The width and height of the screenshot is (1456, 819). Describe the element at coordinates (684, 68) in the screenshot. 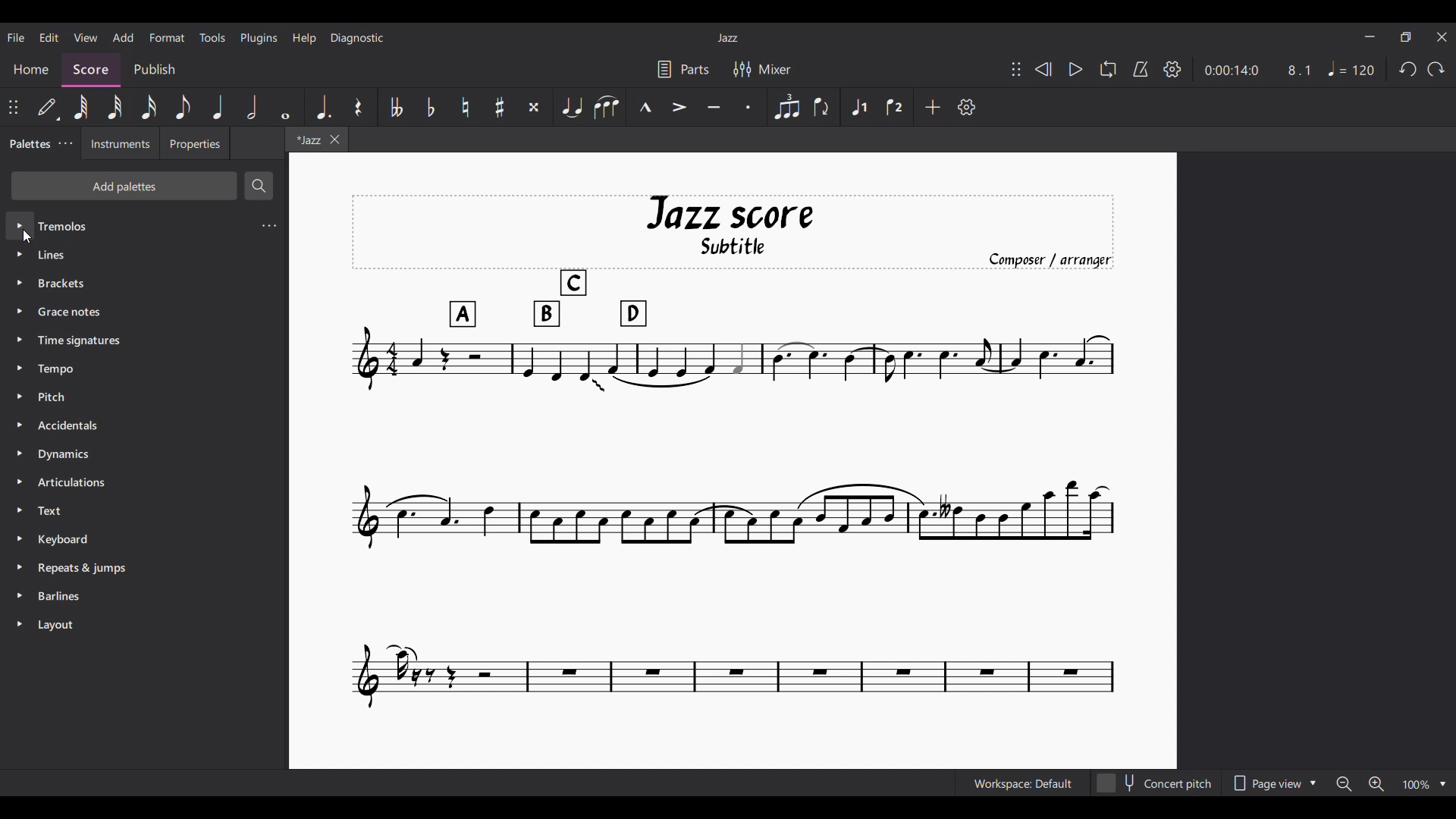

I see `Parts` at that location.